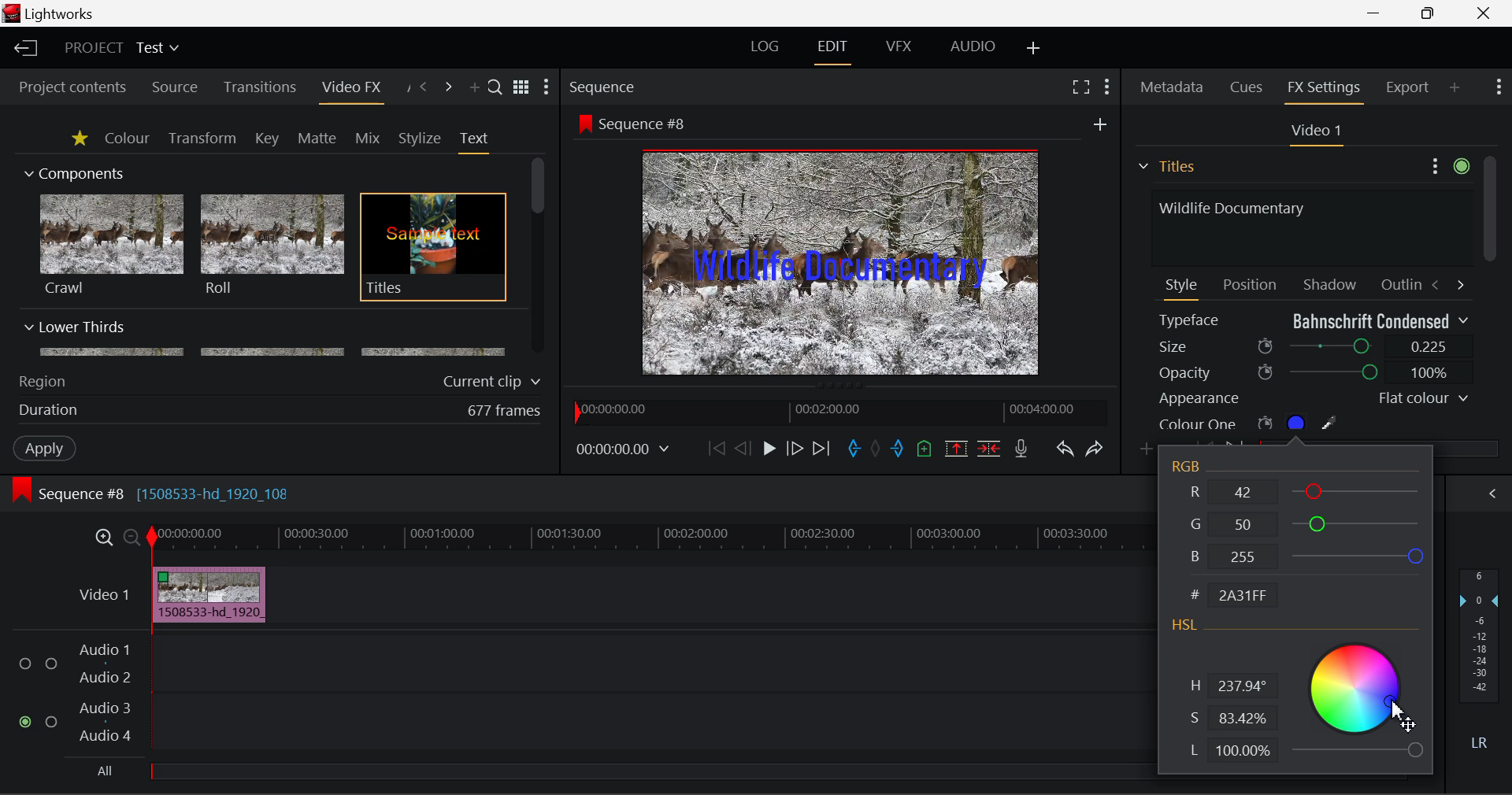 The image size is (1512, 795). What do you see at coordinates (1326, 90) in the screenshot?
I see `FX Settings Open` at bounding box center [1326, 90].